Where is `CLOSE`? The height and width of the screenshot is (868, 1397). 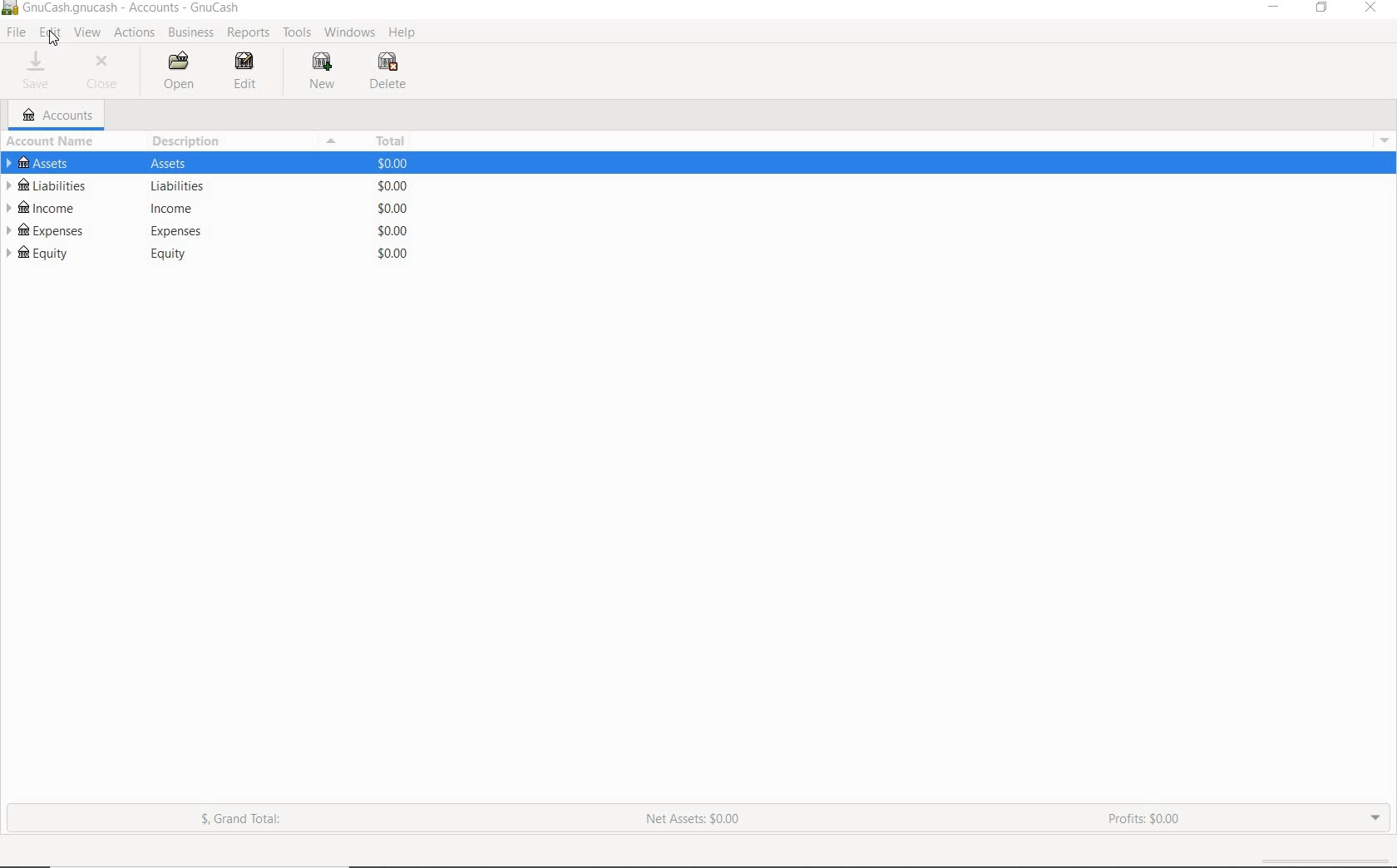
CLOSE is located at coordinates (101, 73).